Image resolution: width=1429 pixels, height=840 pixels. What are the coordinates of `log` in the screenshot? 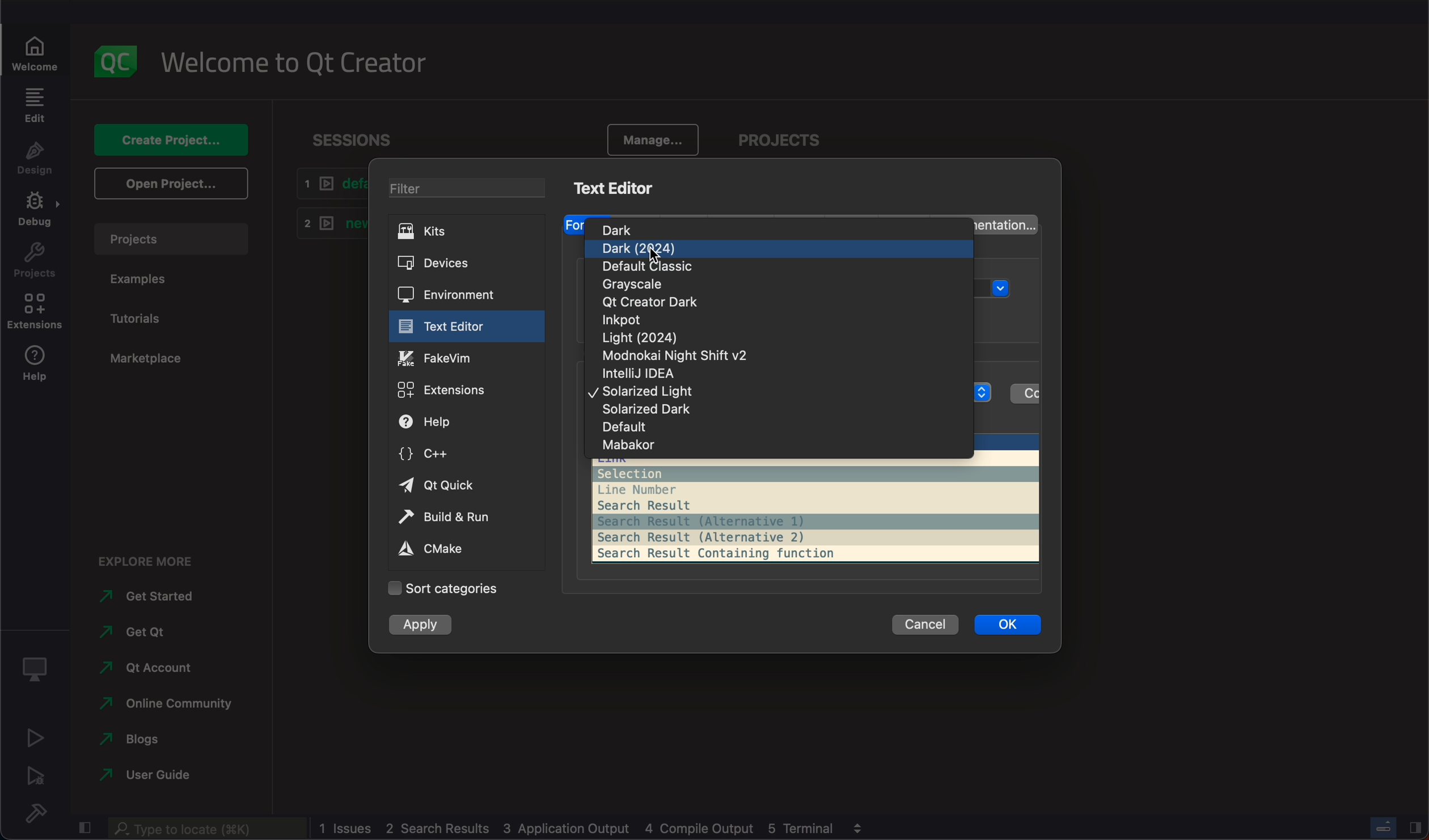 It's located at (581, 827).